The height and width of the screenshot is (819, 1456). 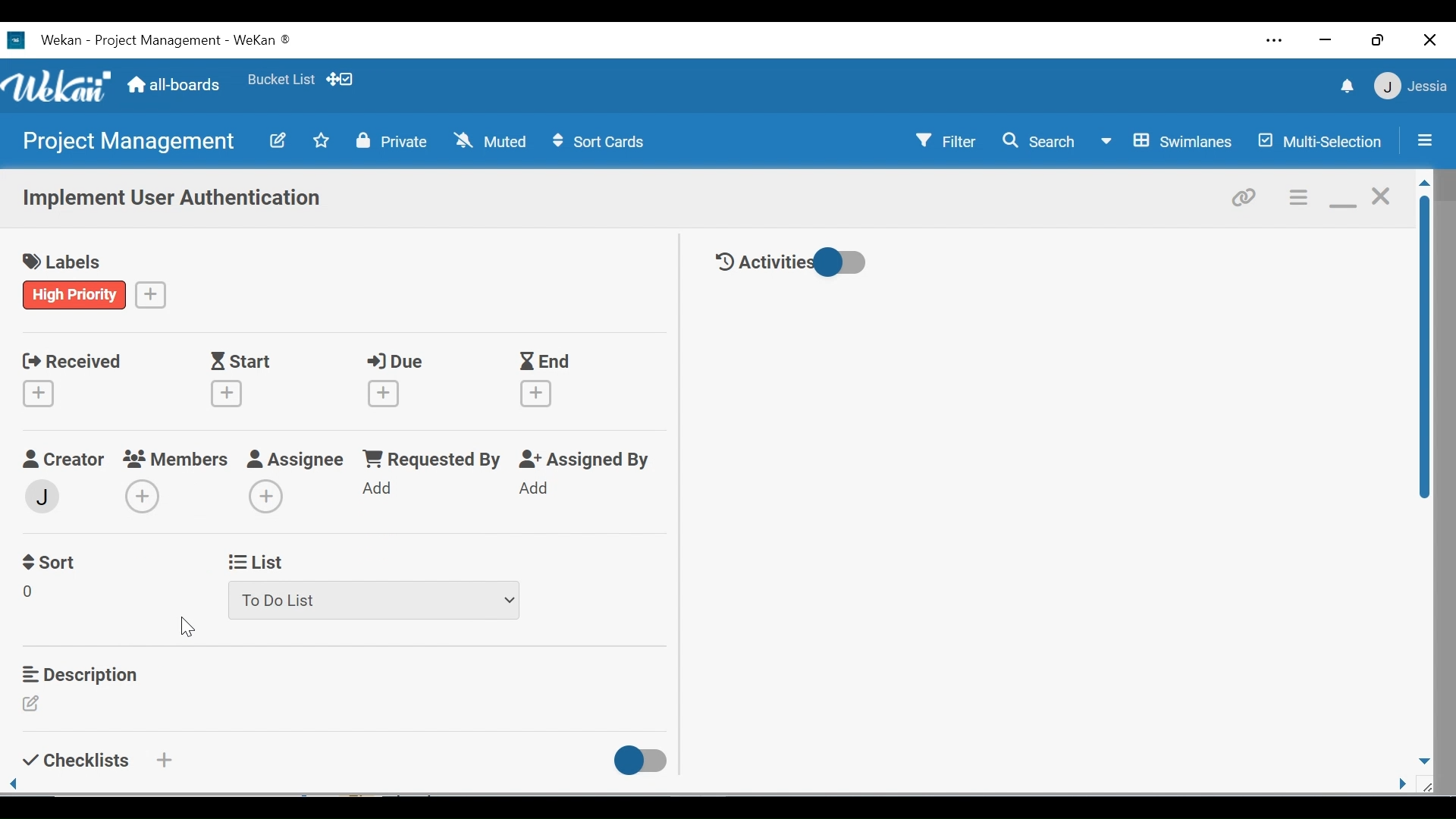 I want to click on notifications, so click(x=1344, y=88).